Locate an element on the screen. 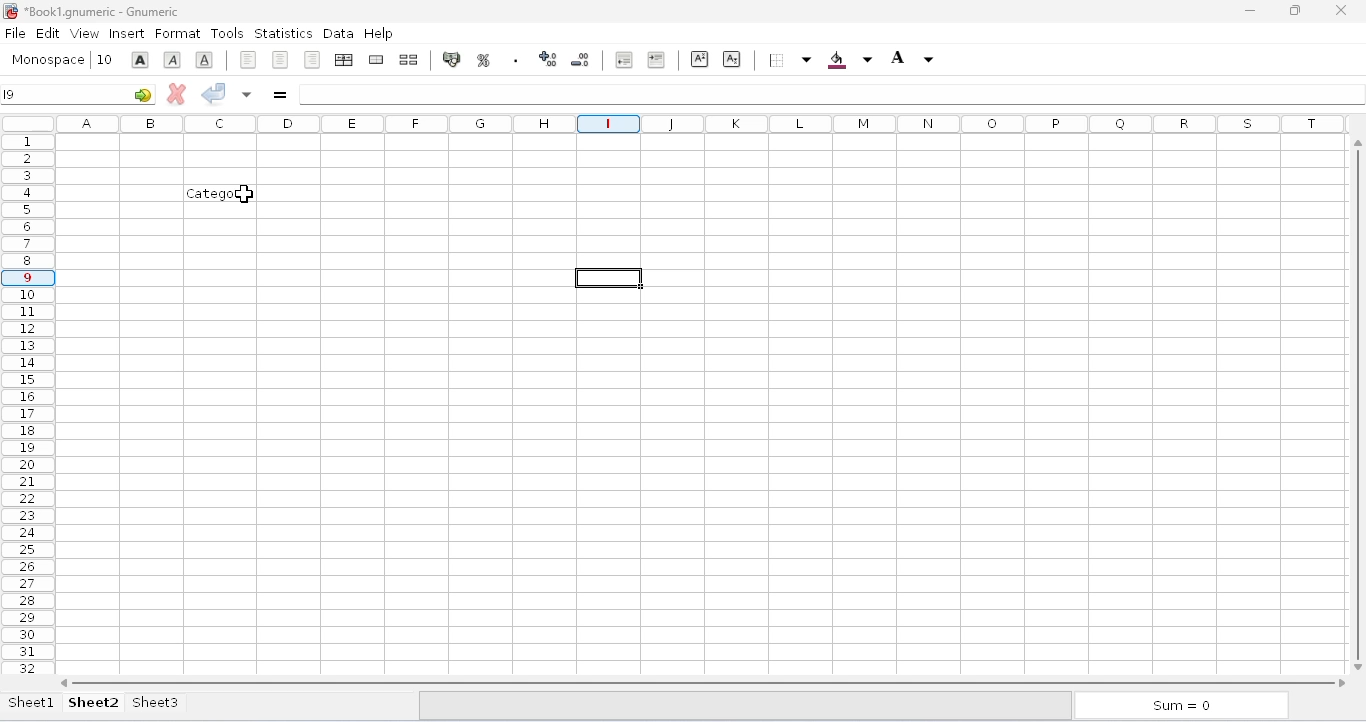 Image resolution: width=1366 pixels, height=722 pixels. statistics is located at coordinates (283, 34).